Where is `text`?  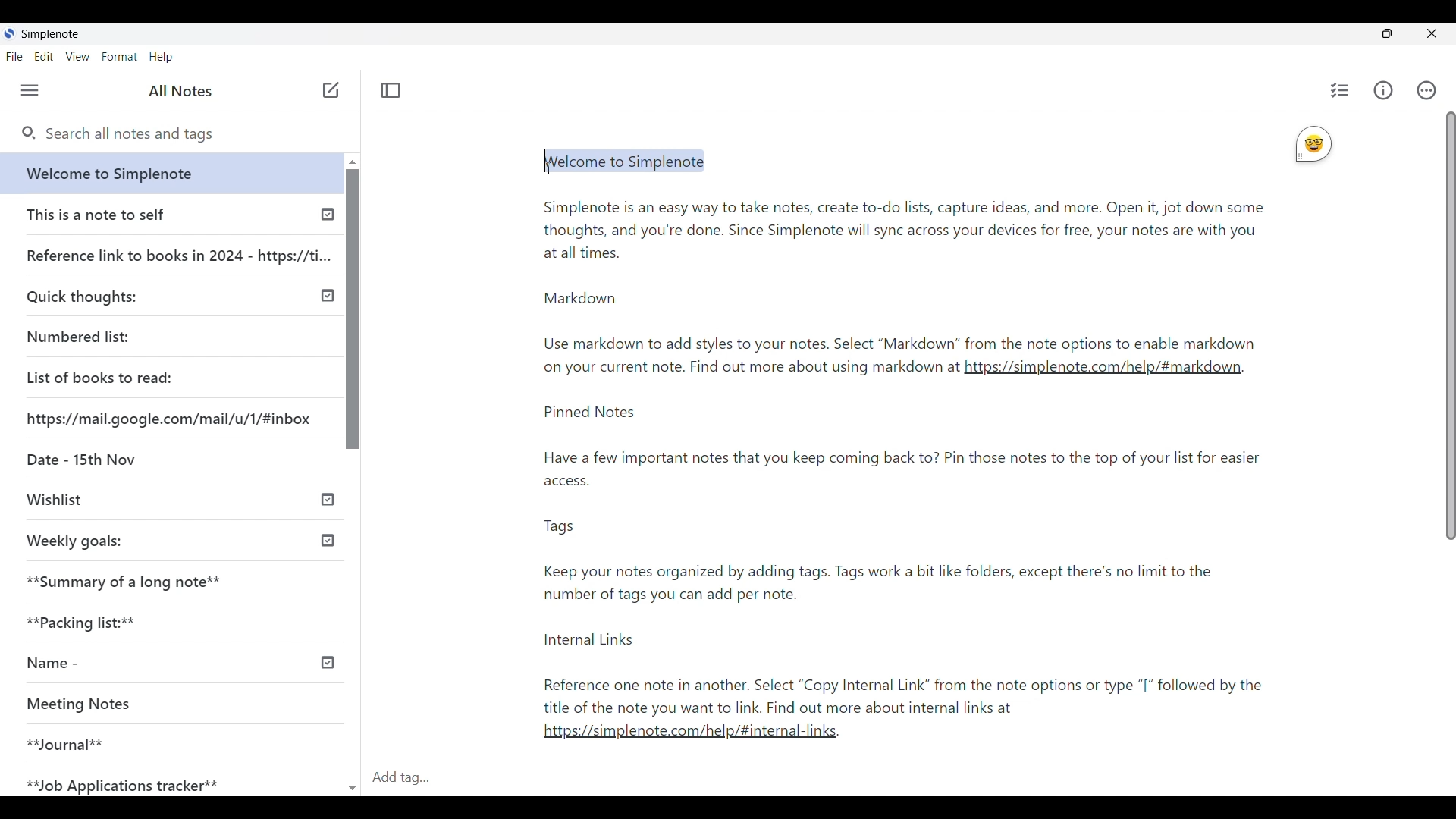
text is located at coordinates (748, 369).